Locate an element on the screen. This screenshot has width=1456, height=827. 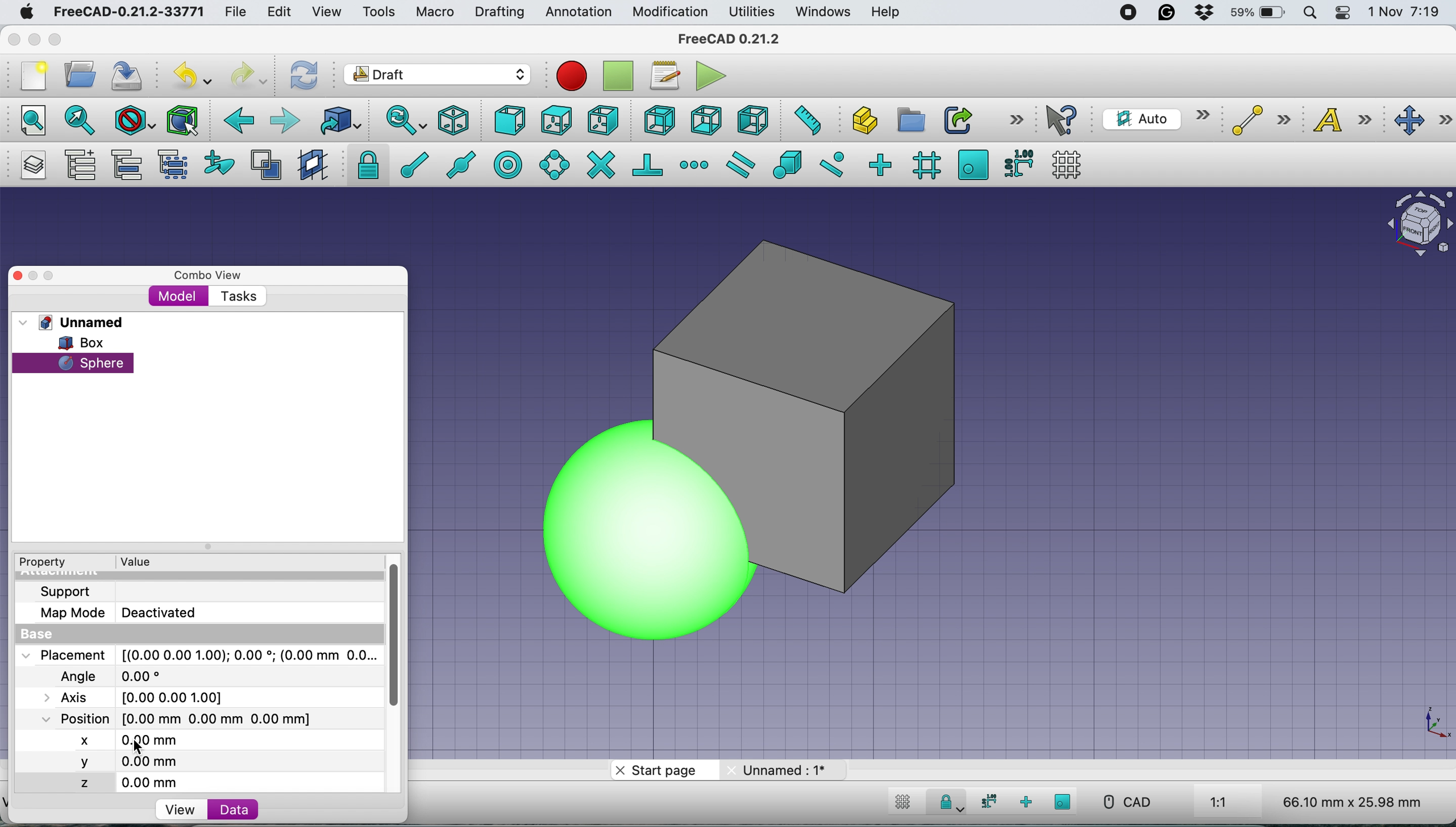
execute macros is located at coordinates (712, 76).